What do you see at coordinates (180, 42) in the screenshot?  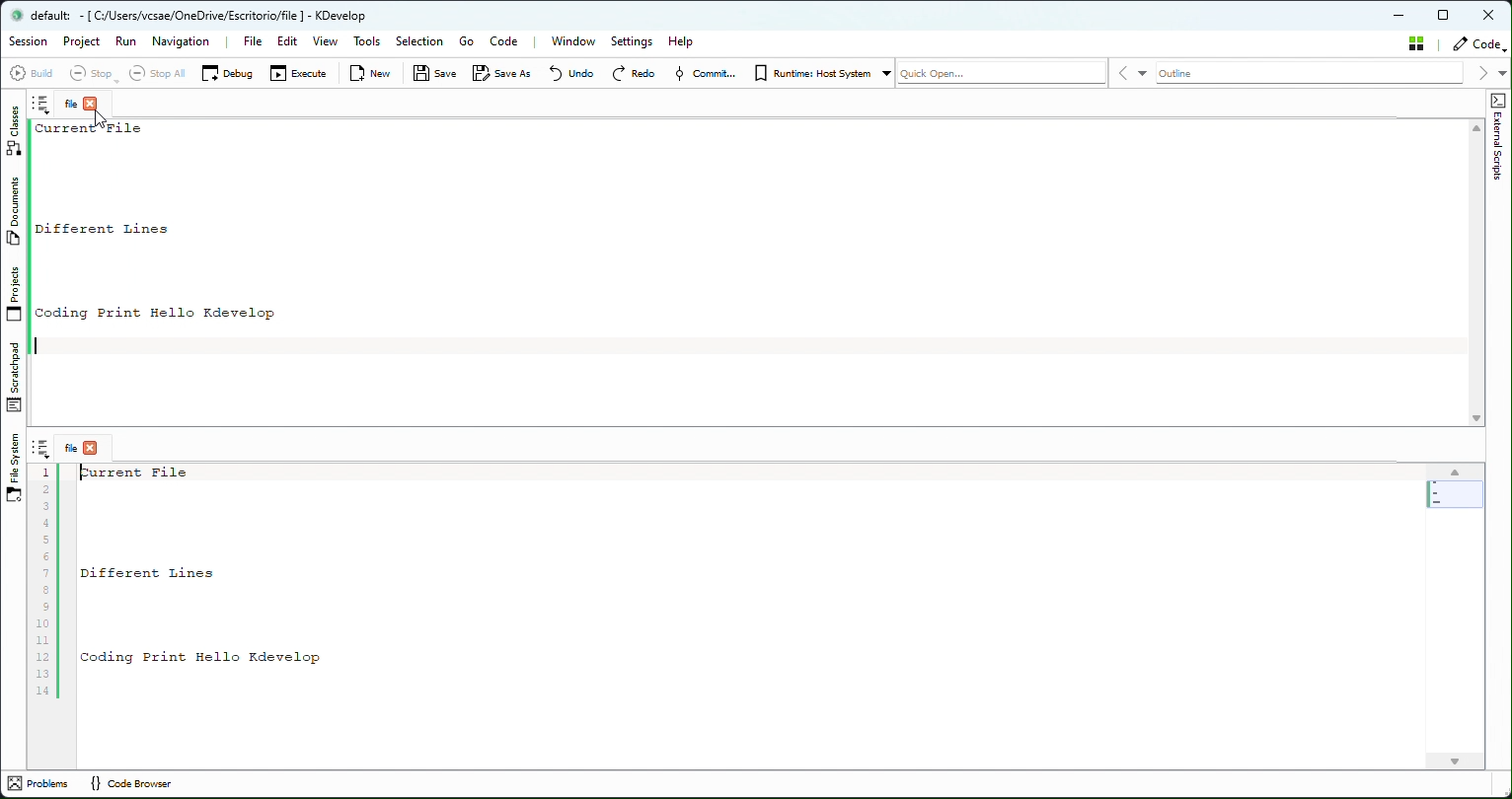 I see `Navigation` at bounding box center [180, 42].